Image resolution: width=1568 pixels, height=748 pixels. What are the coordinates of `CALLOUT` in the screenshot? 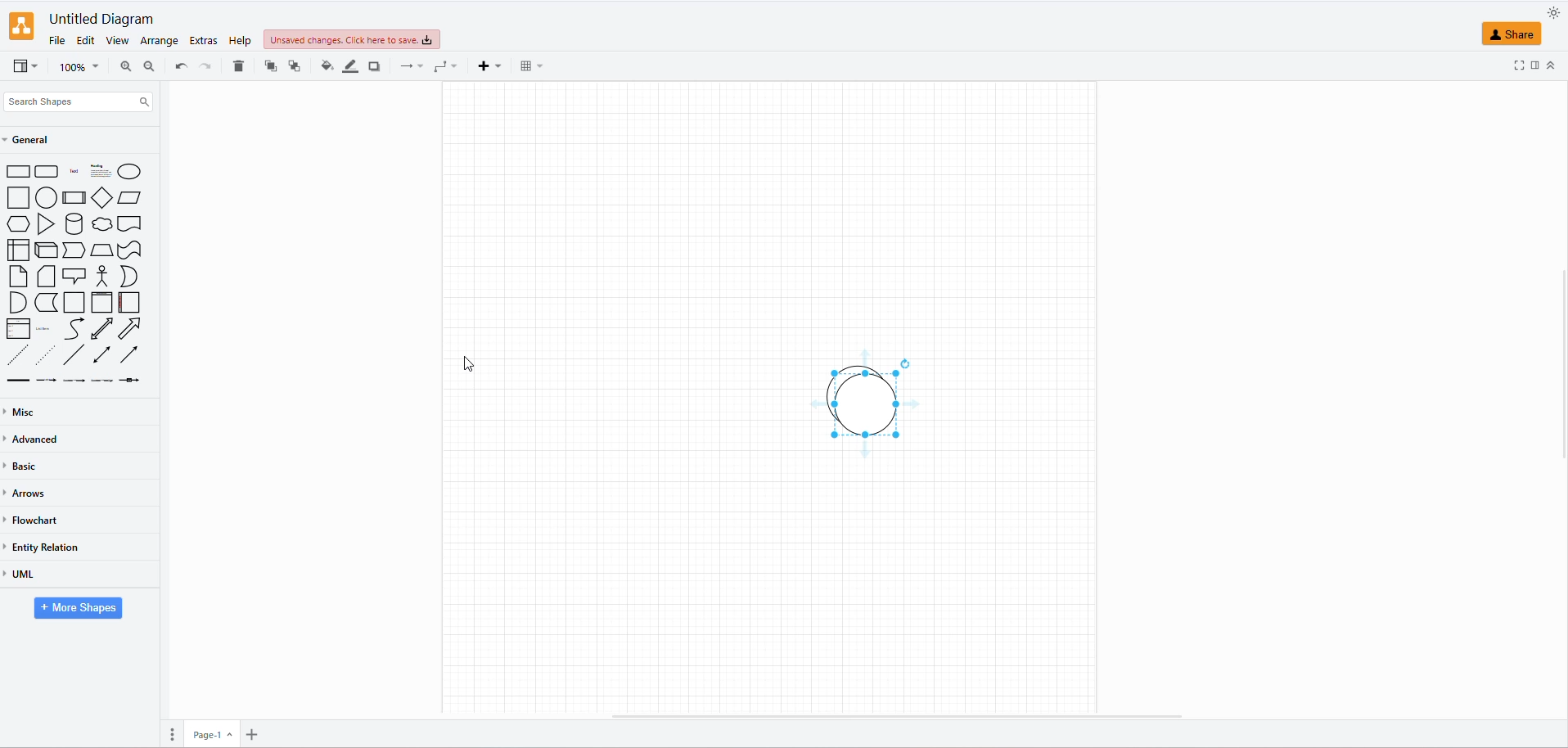 It's located at (74, 277).